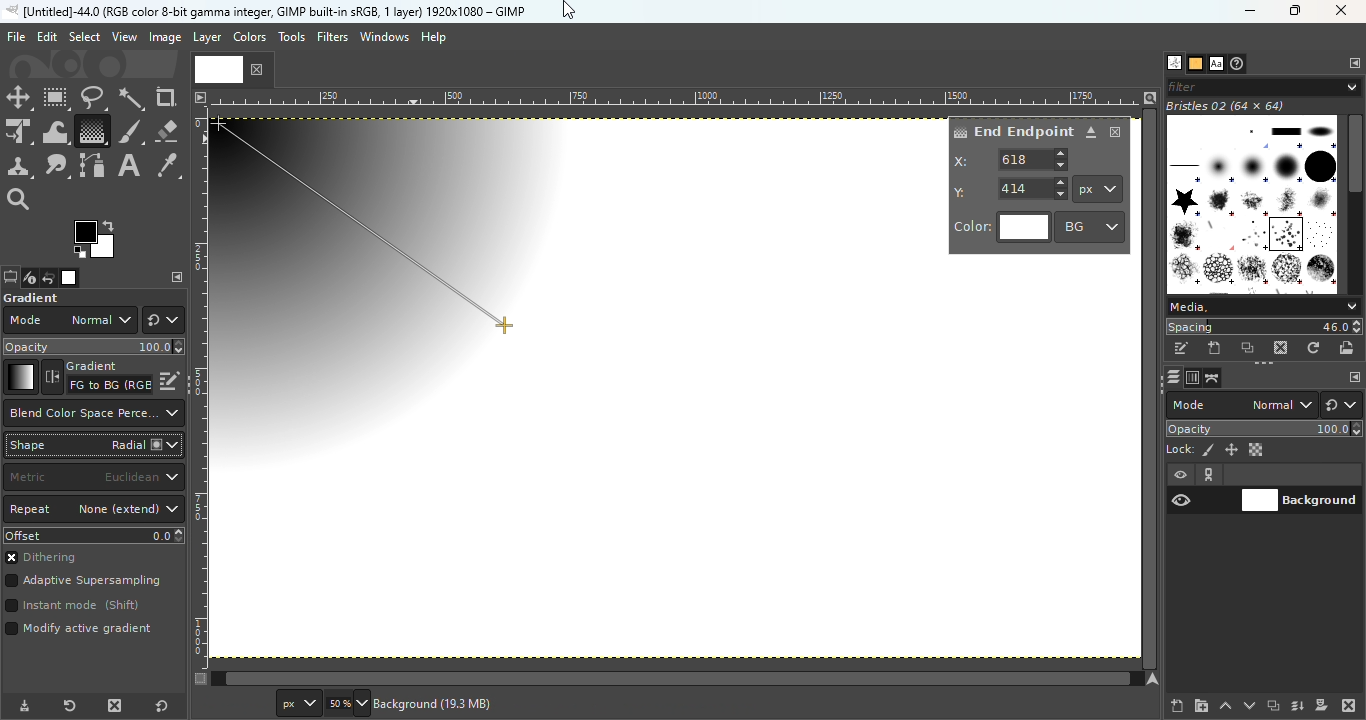 The width and height of the screenshot is (1366, 720). Describe the element at coordinates (1345, 405) in the screenshot. I see `Switch to another group of modes` at that location.